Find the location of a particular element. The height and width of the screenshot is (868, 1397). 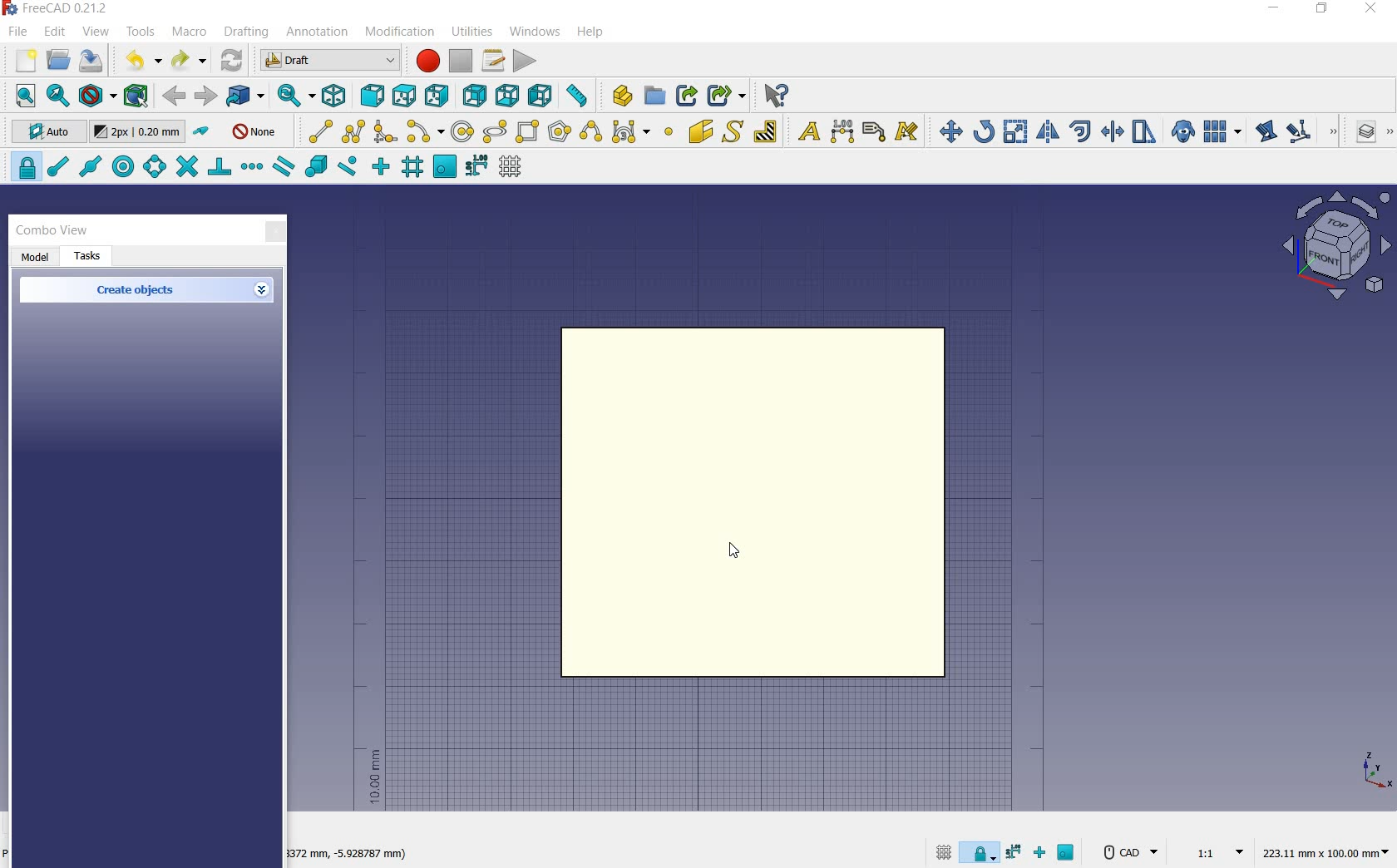

toggle grid is located at coordinates (941, 851).